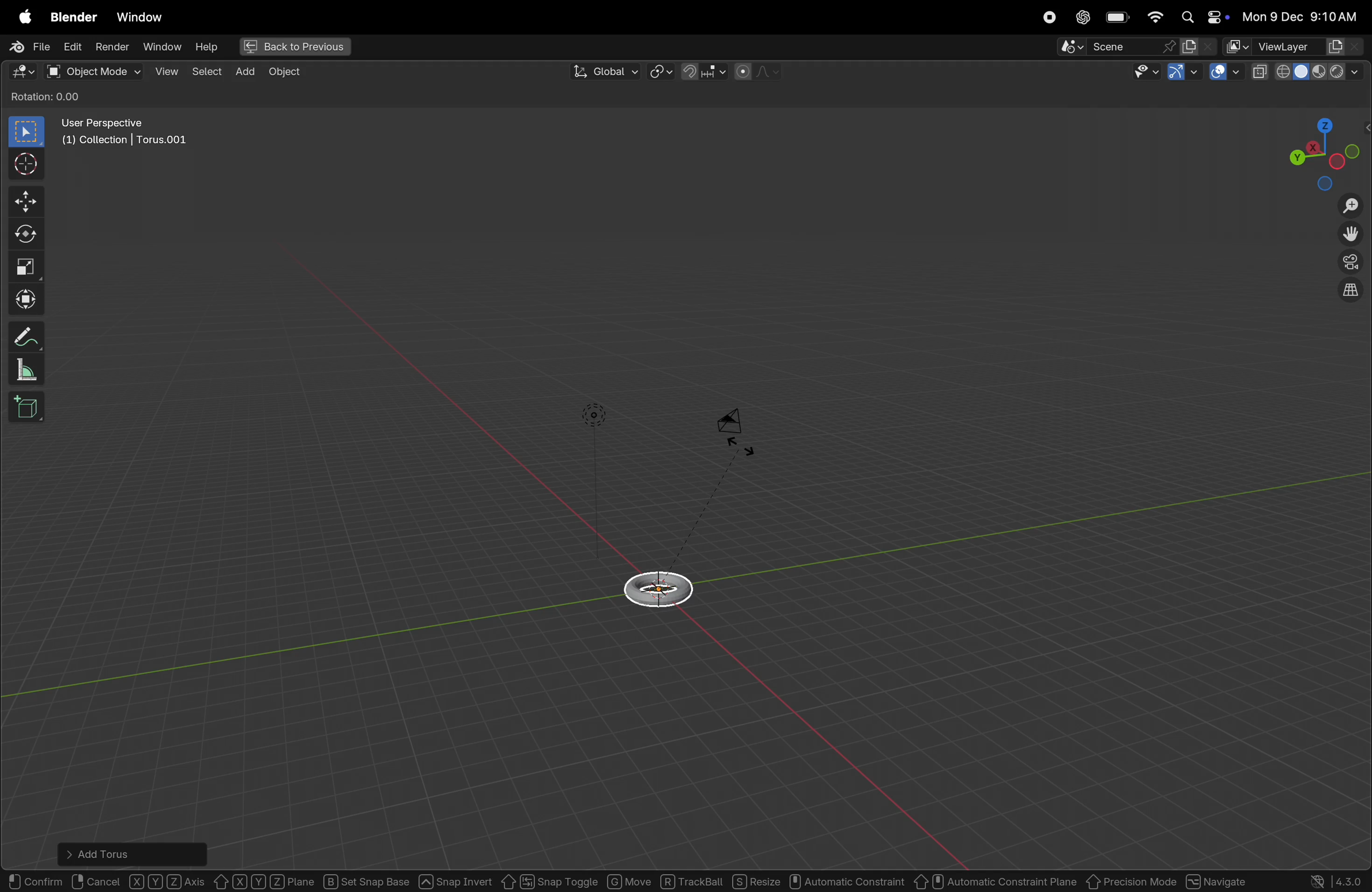  I want to click on Blender, so click(70, 16).